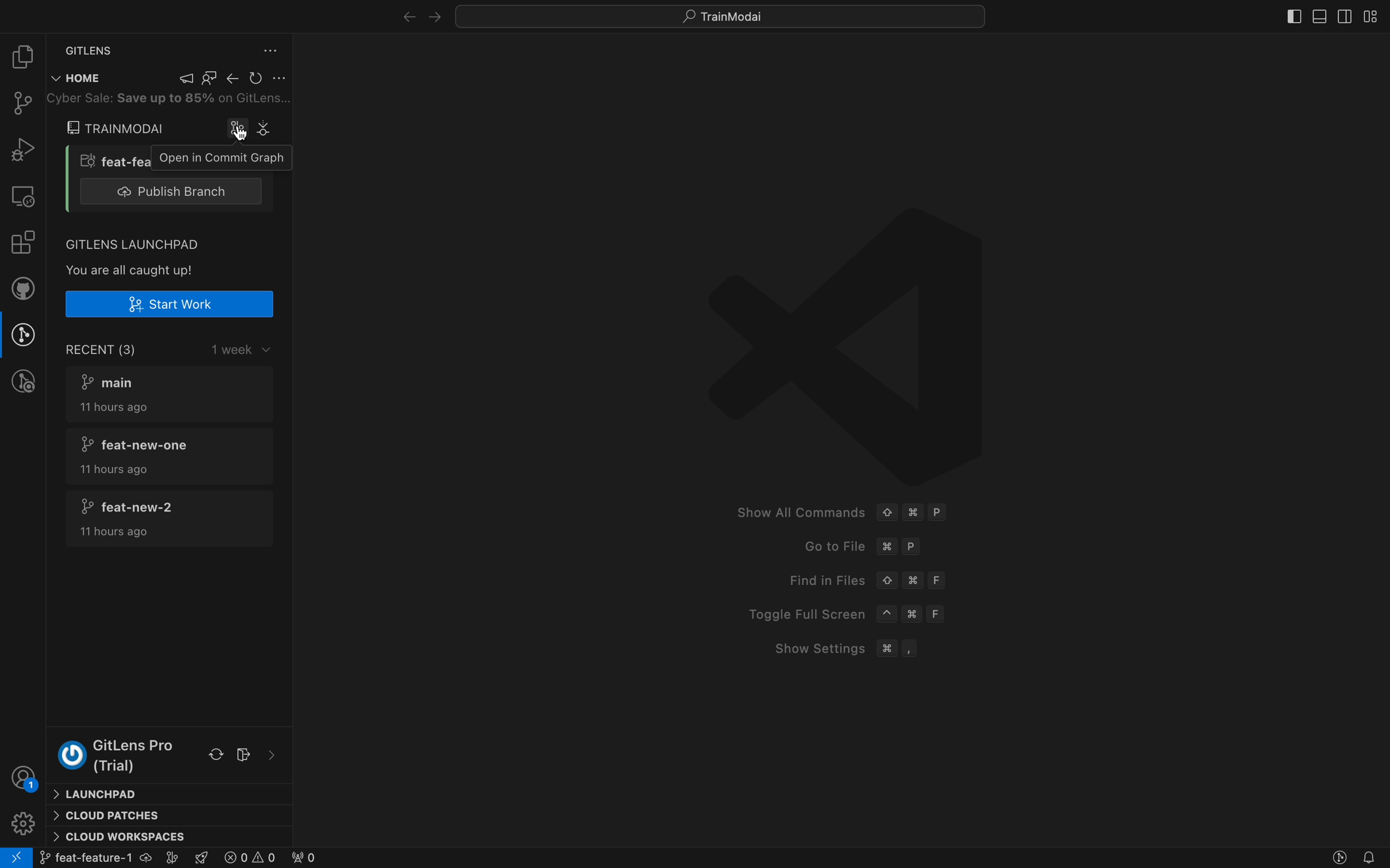  I want to click on git branch, so click(111, 858).